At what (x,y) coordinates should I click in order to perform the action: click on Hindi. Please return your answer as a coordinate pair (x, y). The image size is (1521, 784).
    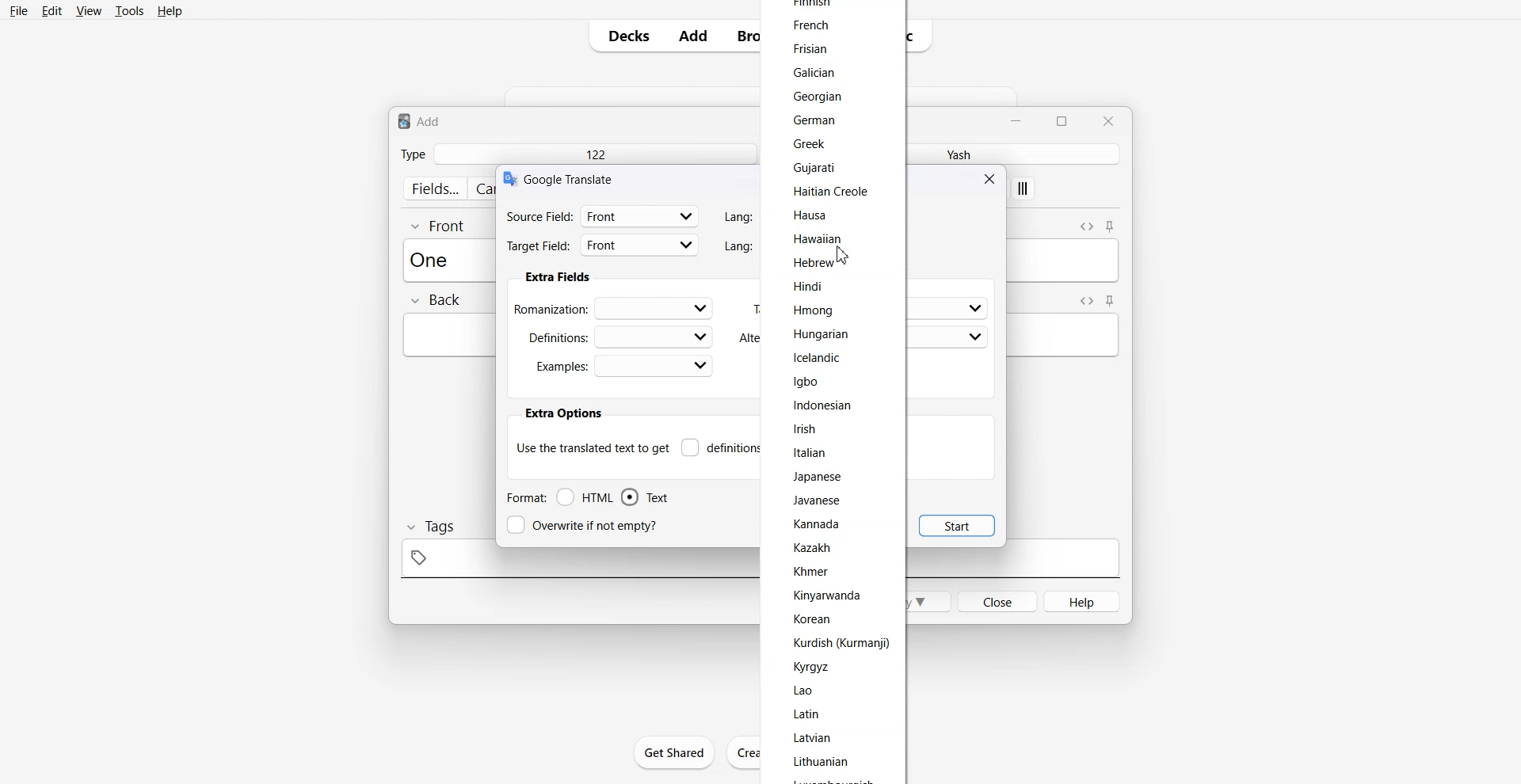
    Looking at the image, I should click on (811, 284).